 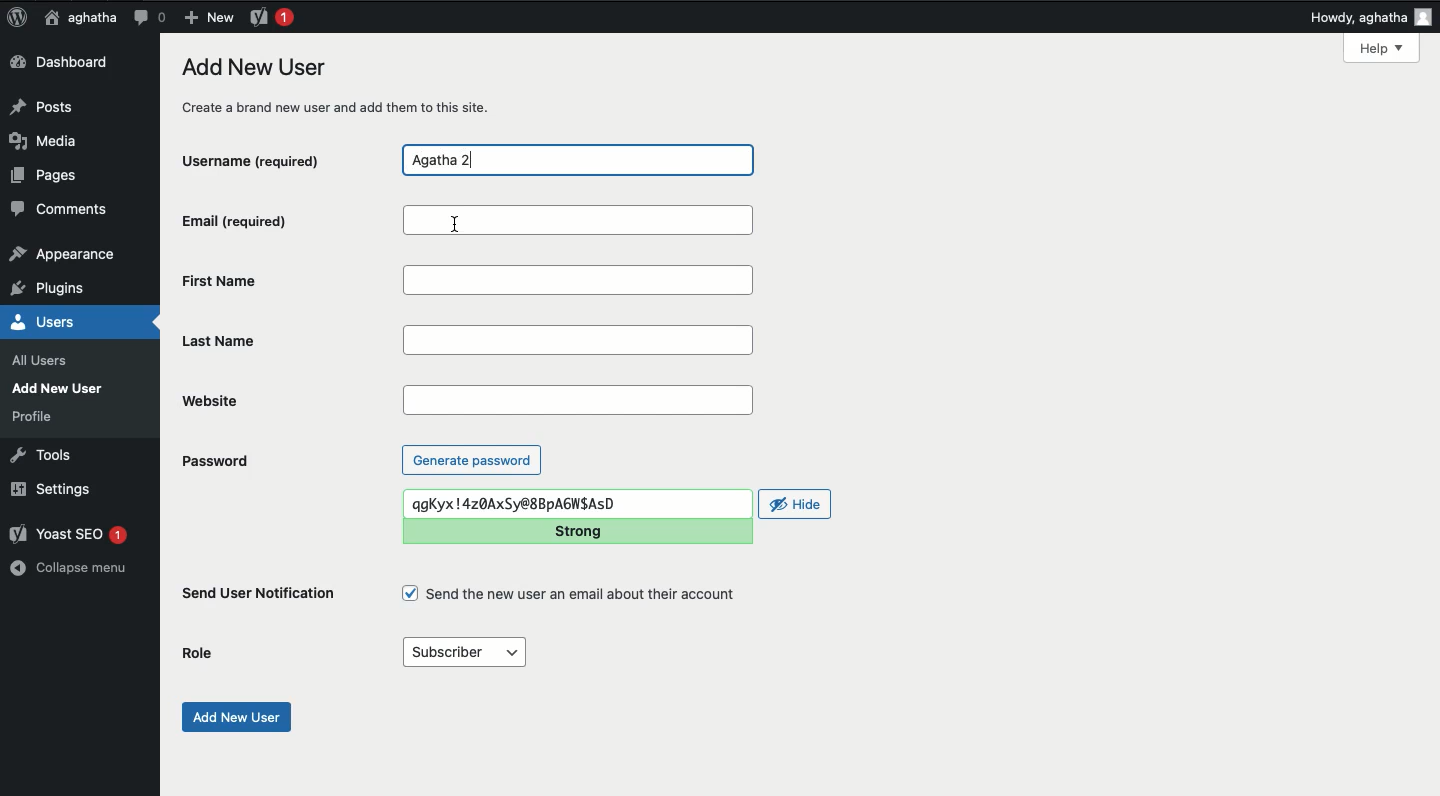 What do you see at coordinates (582, 342) in the screenshot?
I see `Last Name` at bounding box center [582, 342].